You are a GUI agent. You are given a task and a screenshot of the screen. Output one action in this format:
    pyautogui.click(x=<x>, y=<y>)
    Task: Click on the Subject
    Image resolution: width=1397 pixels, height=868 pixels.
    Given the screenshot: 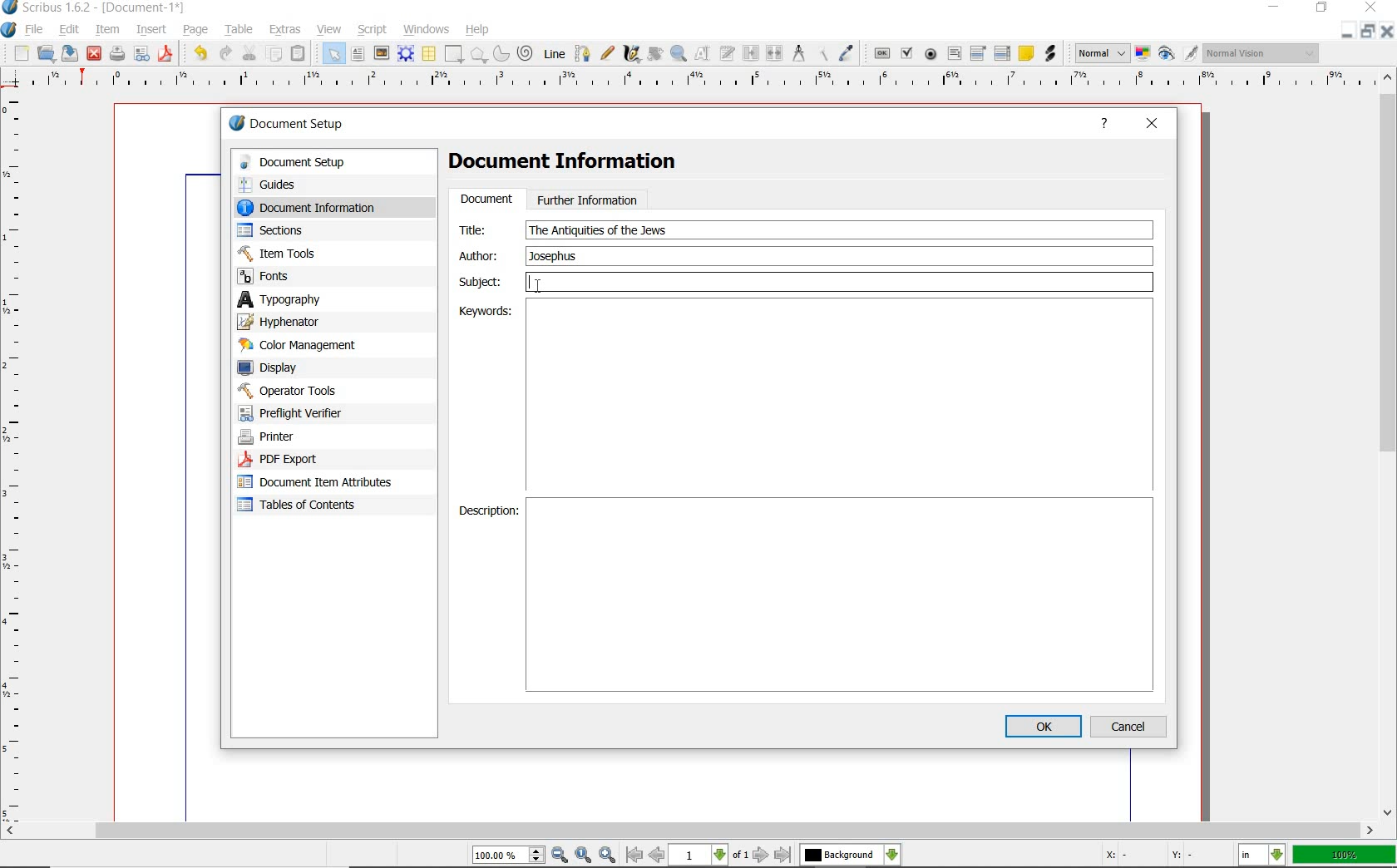 What is the action you would take?
    pyautogui.click(x=807, y=283)
    